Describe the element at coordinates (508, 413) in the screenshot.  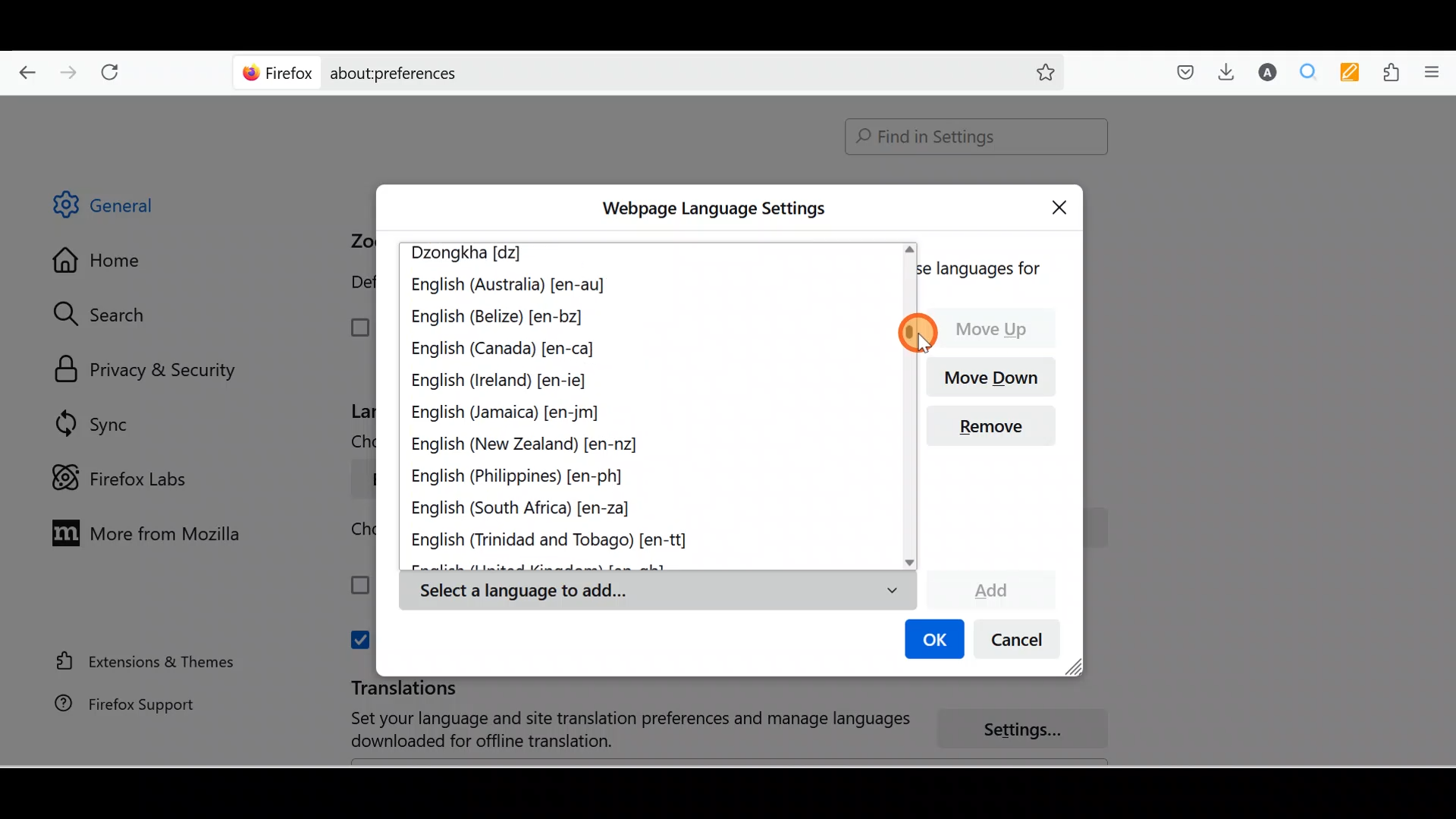
I see `English (Jamaica) [en-jm]` at that location.